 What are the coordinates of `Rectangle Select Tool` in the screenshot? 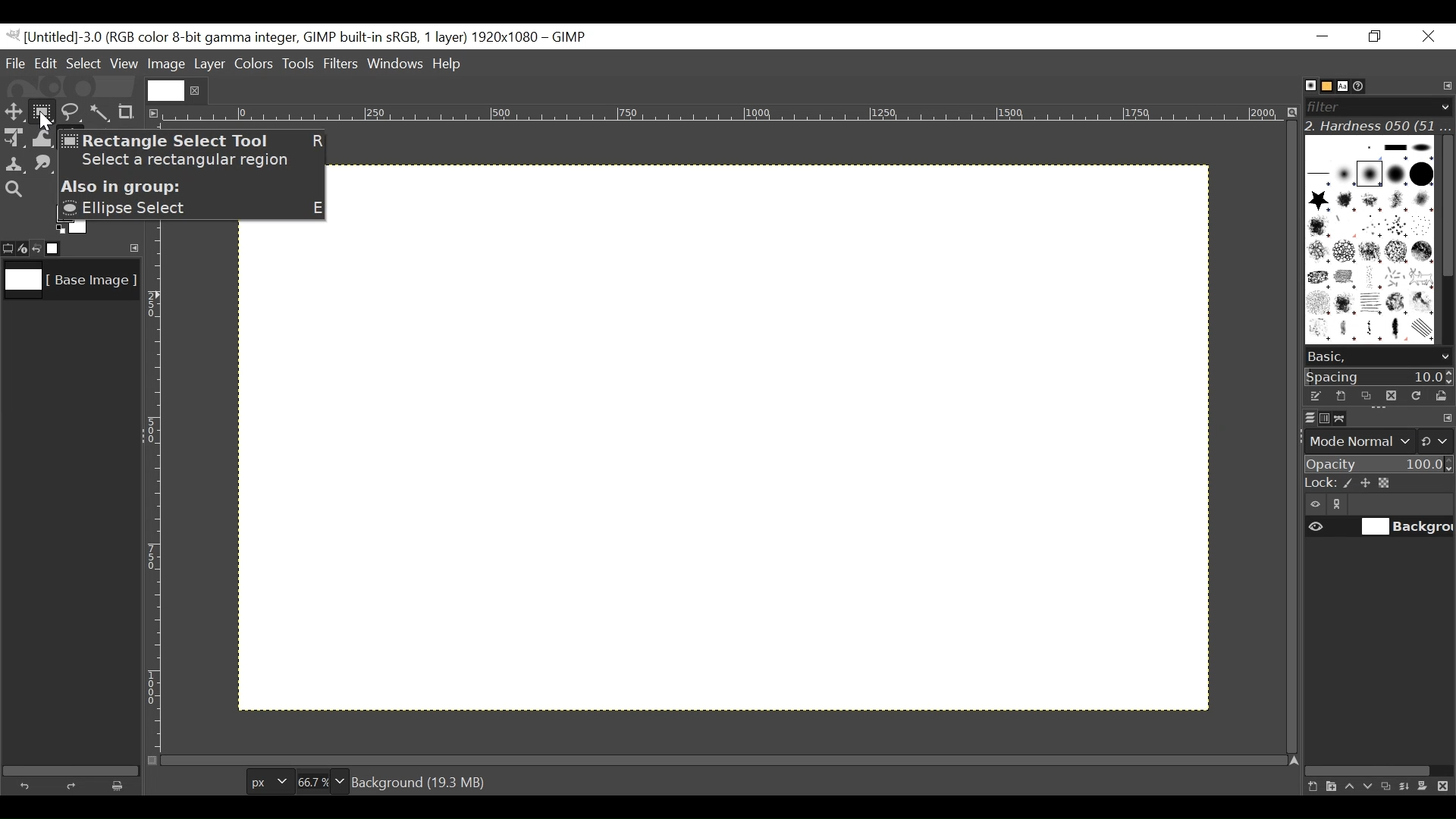 It's located at (42, 111).